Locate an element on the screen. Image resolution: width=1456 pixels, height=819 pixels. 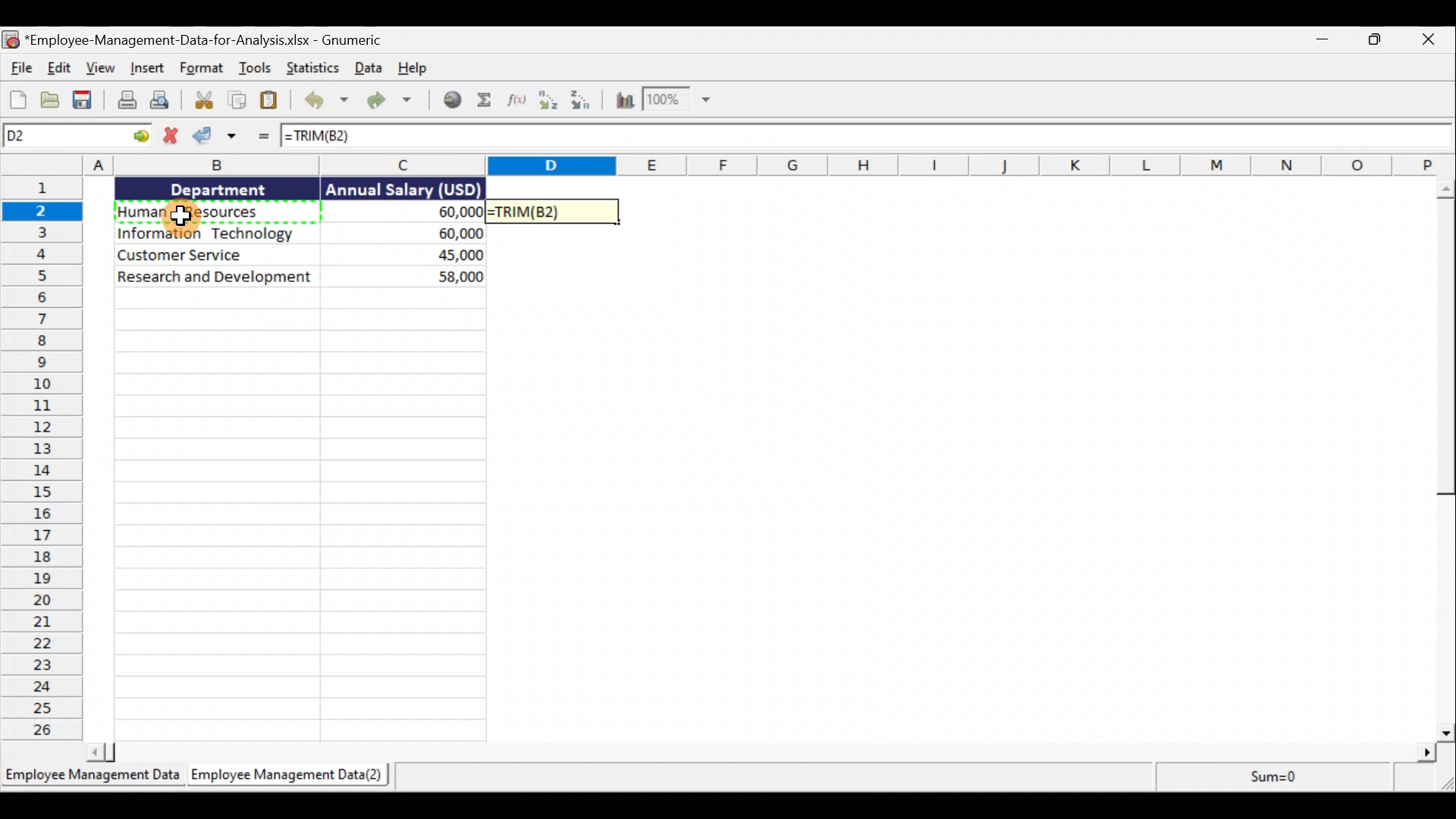
Open a file is located at coordinates (53, 99).